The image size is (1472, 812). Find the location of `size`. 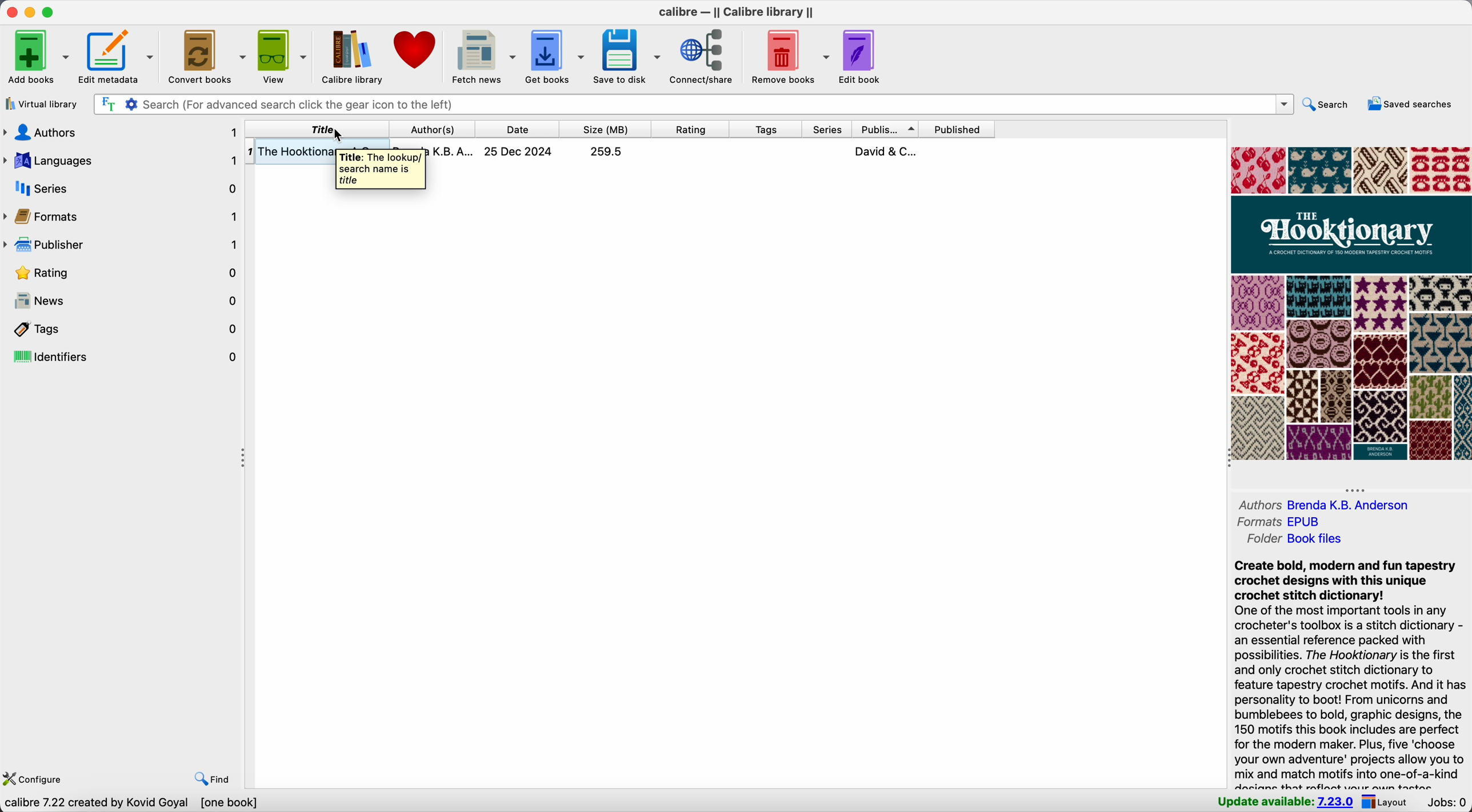

size is located at coordinates (606, 129).